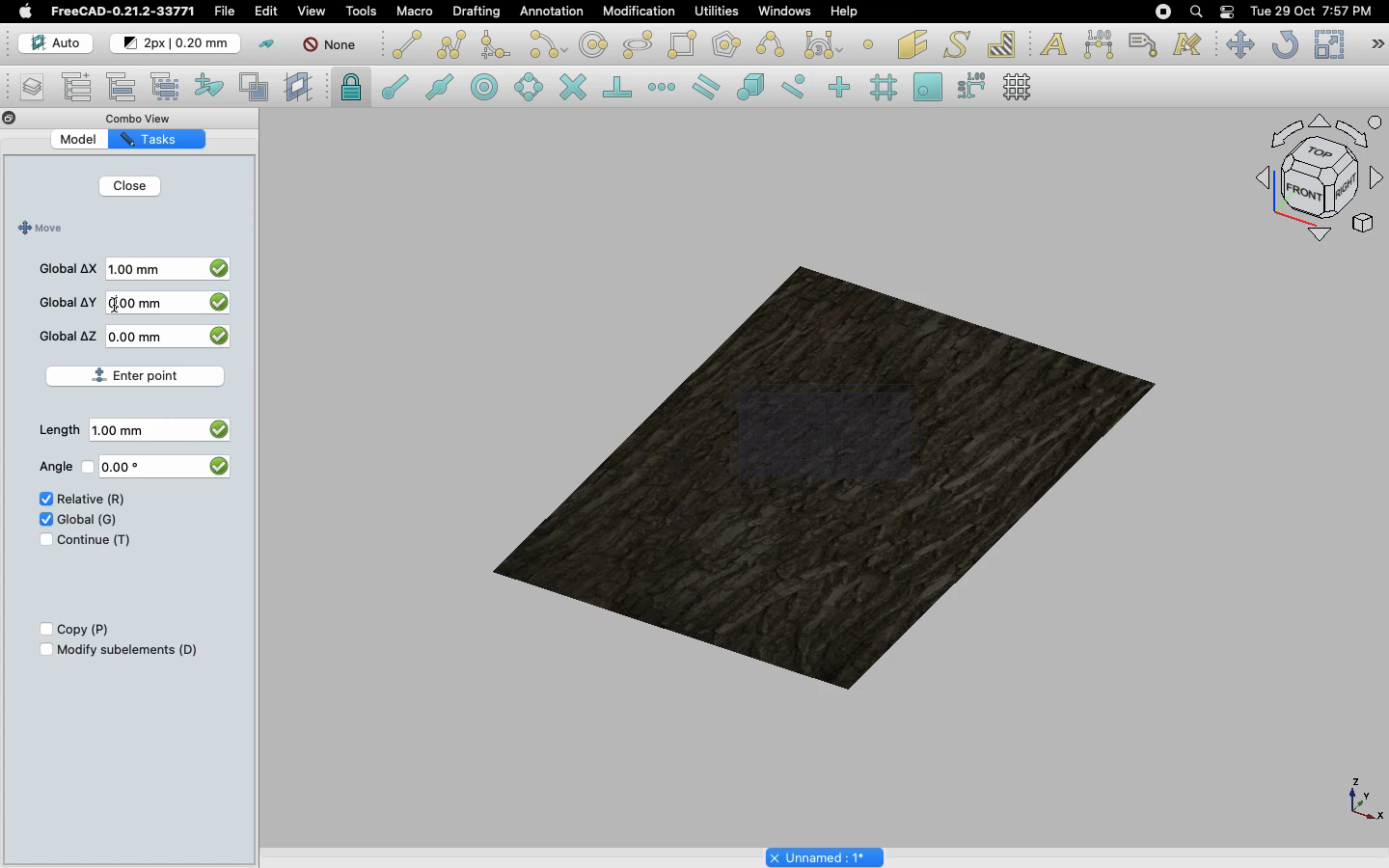 Image resolution: width=1389 pixels, height=868 pixels. Describe the element at coordinates (225, 12) in the screenshot. I see `File` at that location.